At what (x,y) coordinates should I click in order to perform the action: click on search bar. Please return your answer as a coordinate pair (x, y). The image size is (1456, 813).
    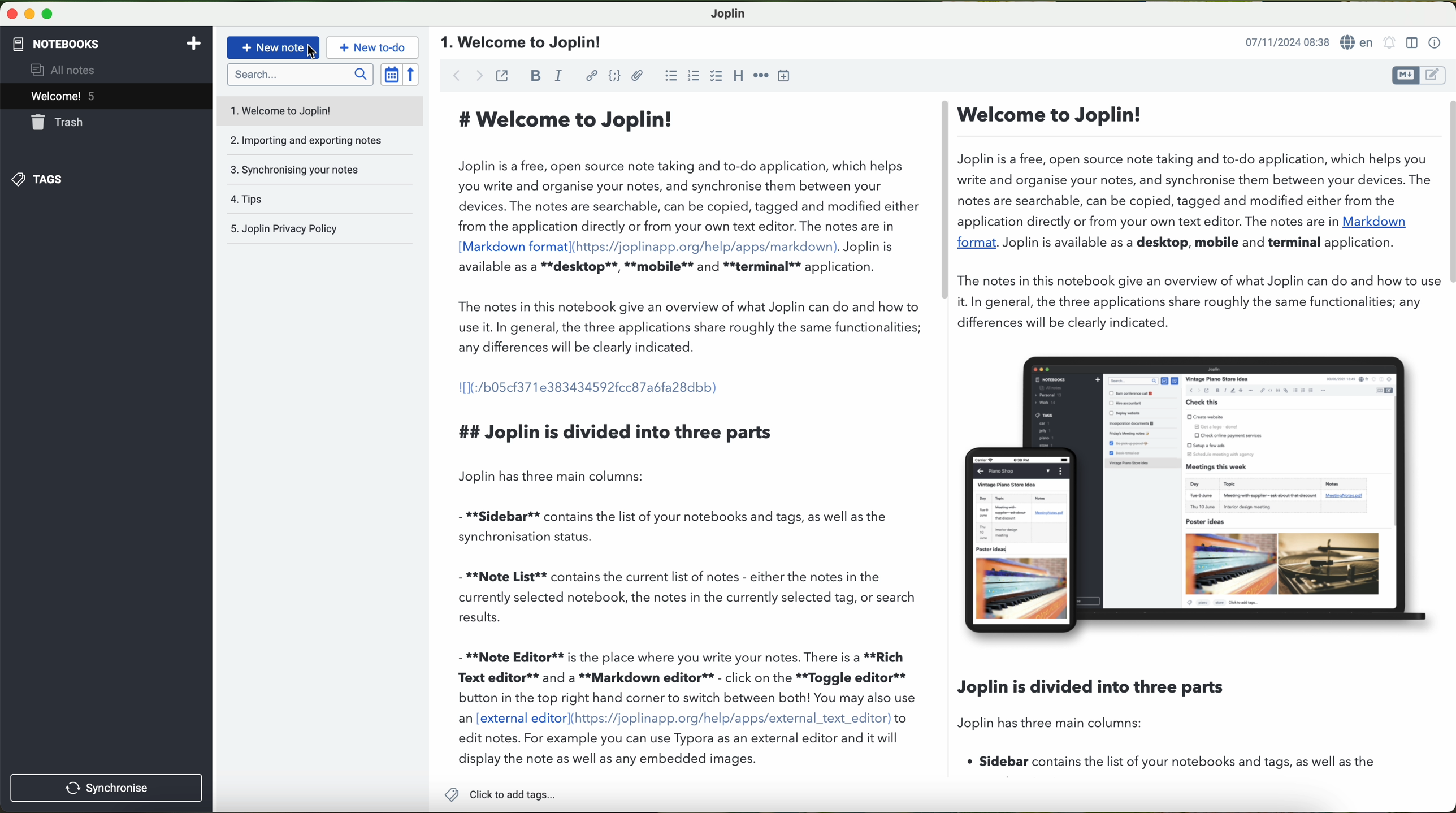
    Looking at the image, I should click on (299, 74).